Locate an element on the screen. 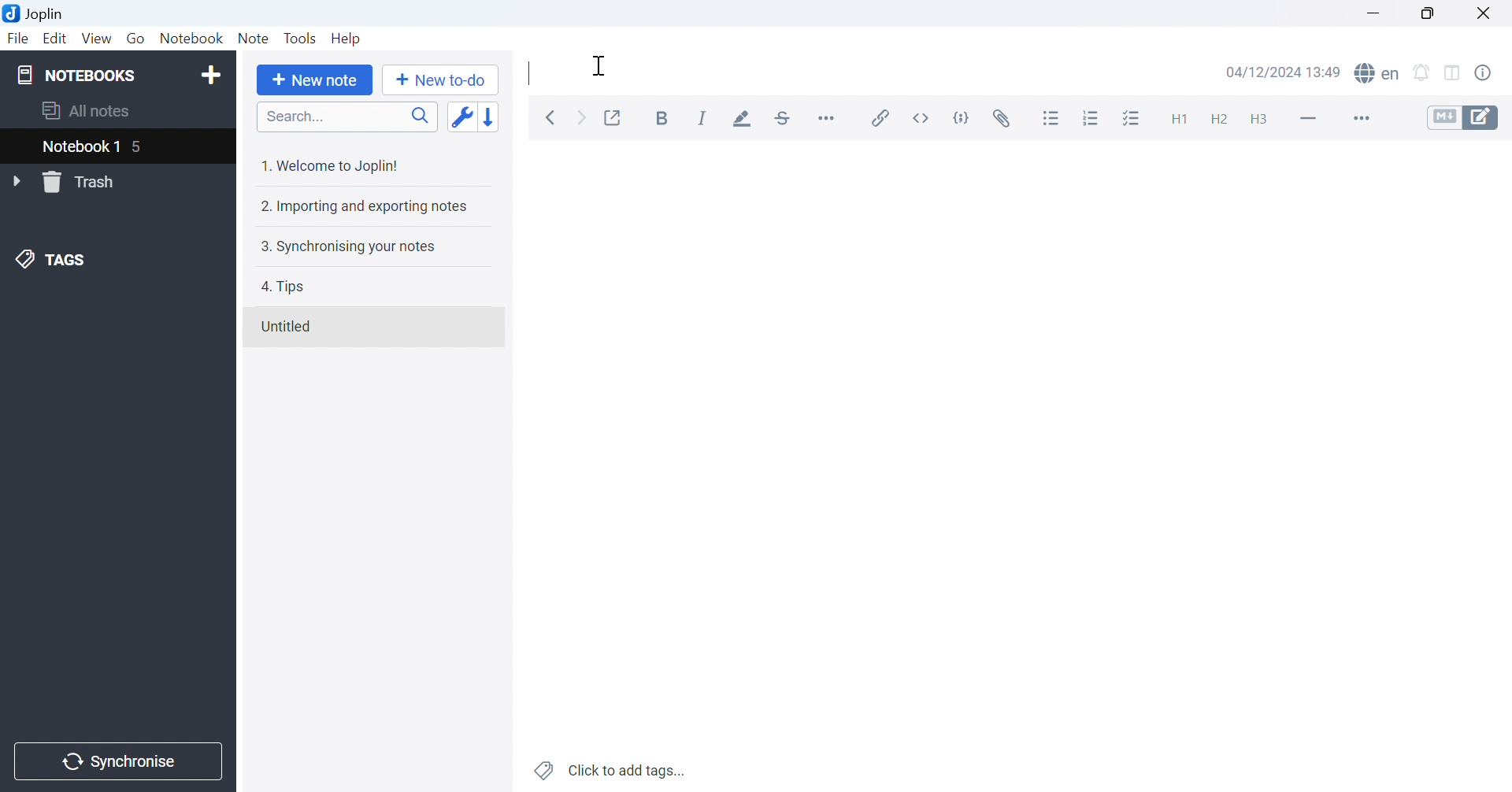 The image size is (1512, 792). Bold is located at coordinates (665, 119).